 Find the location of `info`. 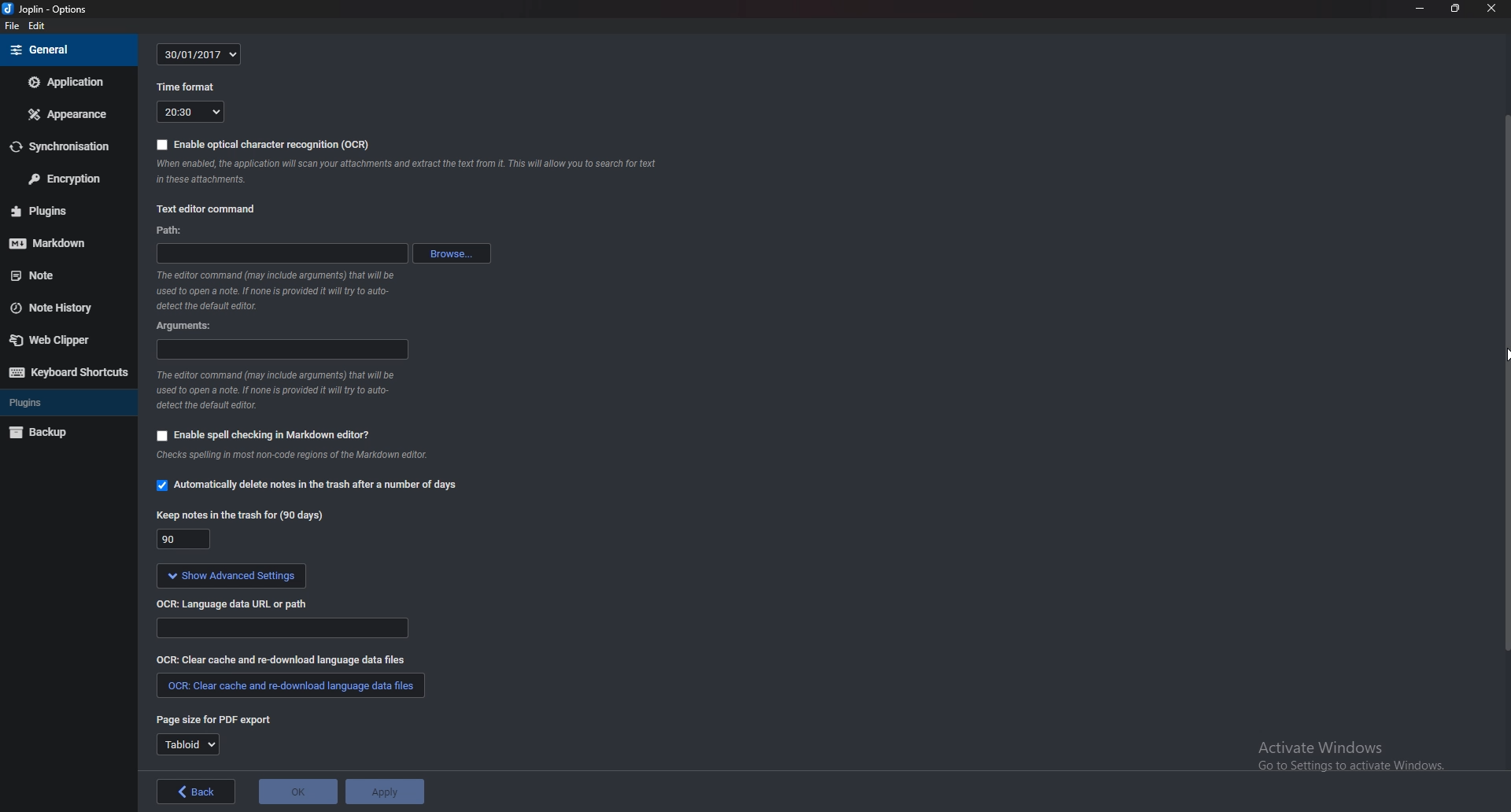

info is located at coordinates (298, 455).